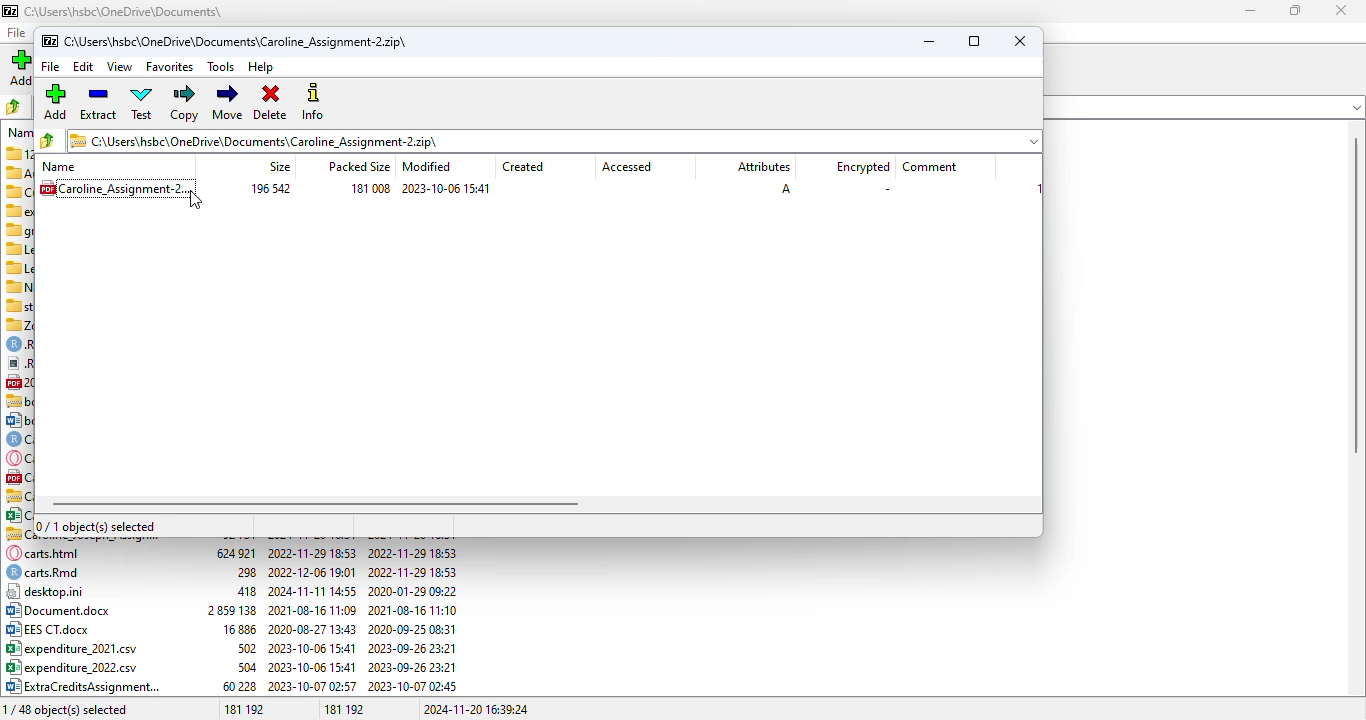  I want to click on size, so click(279, 166).